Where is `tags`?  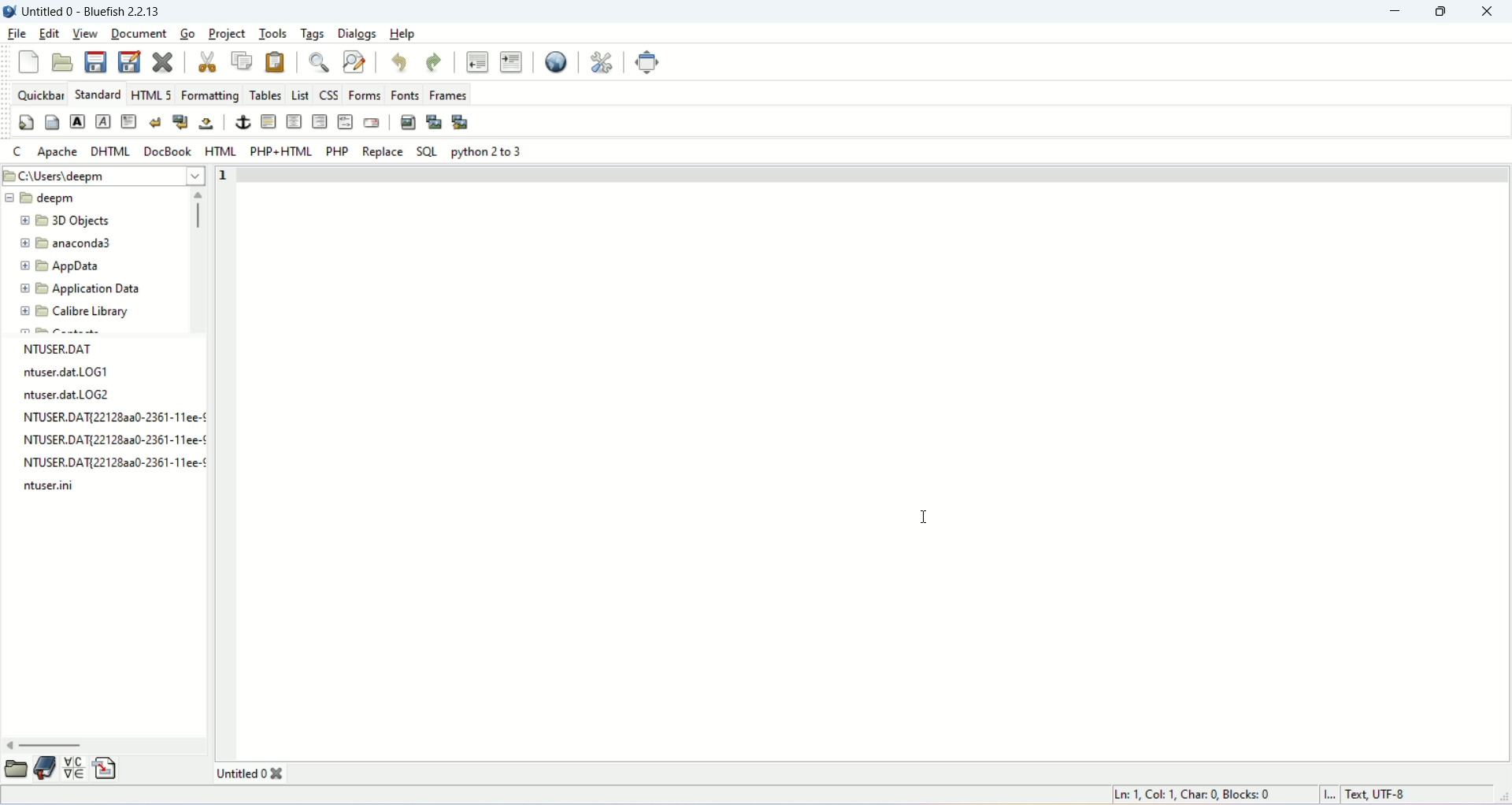 tags is located at coordinates (313, 33).